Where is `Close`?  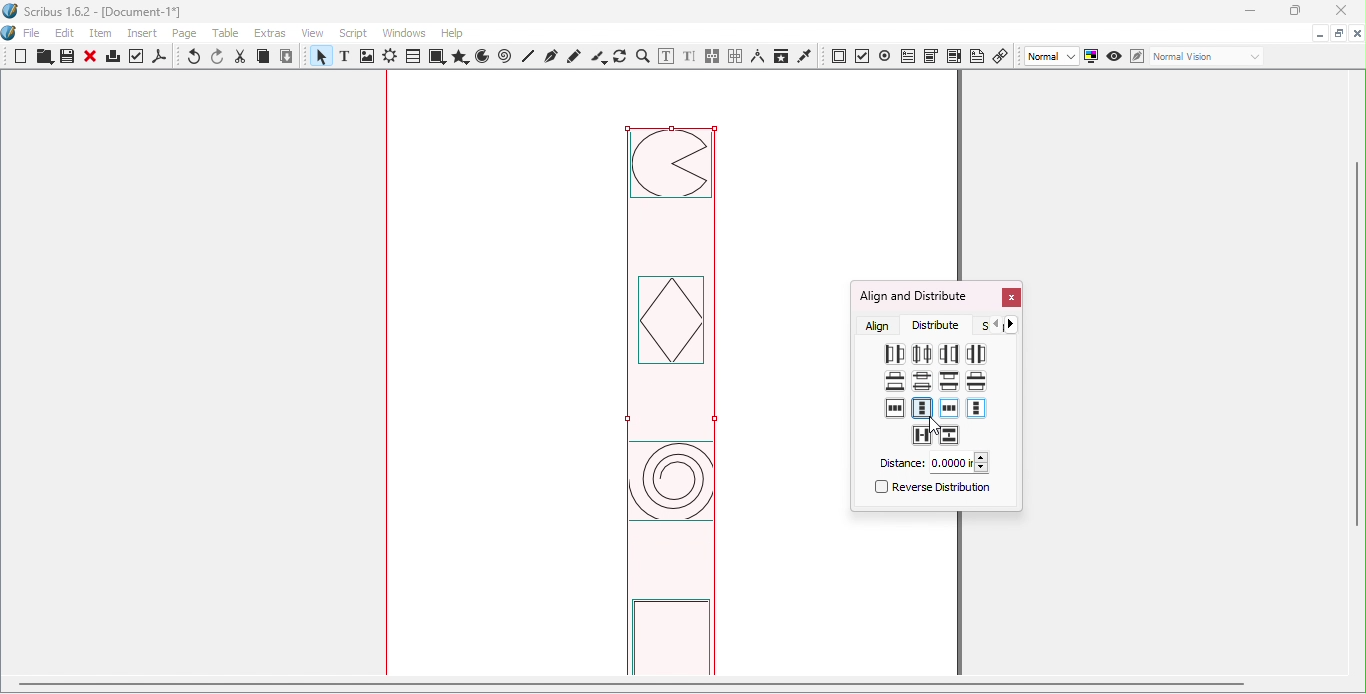
Close is located at coordinates (1337, 12).